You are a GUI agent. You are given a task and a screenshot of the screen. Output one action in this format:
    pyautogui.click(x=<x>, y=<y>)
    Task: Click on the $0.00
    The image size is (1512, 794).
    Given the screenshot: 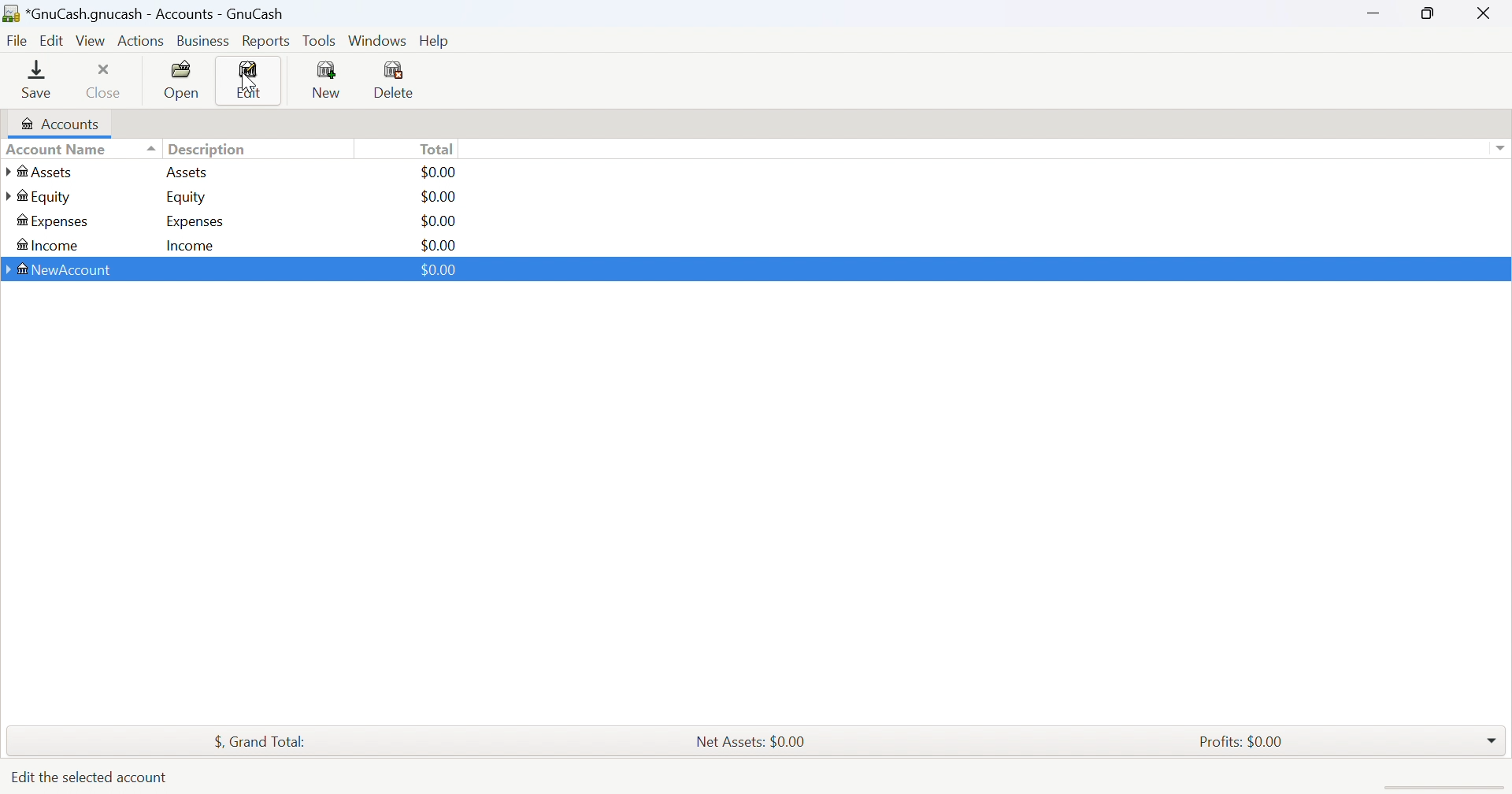 What is the action you would take?
    pyautogui.click(x=439, y=245)
    